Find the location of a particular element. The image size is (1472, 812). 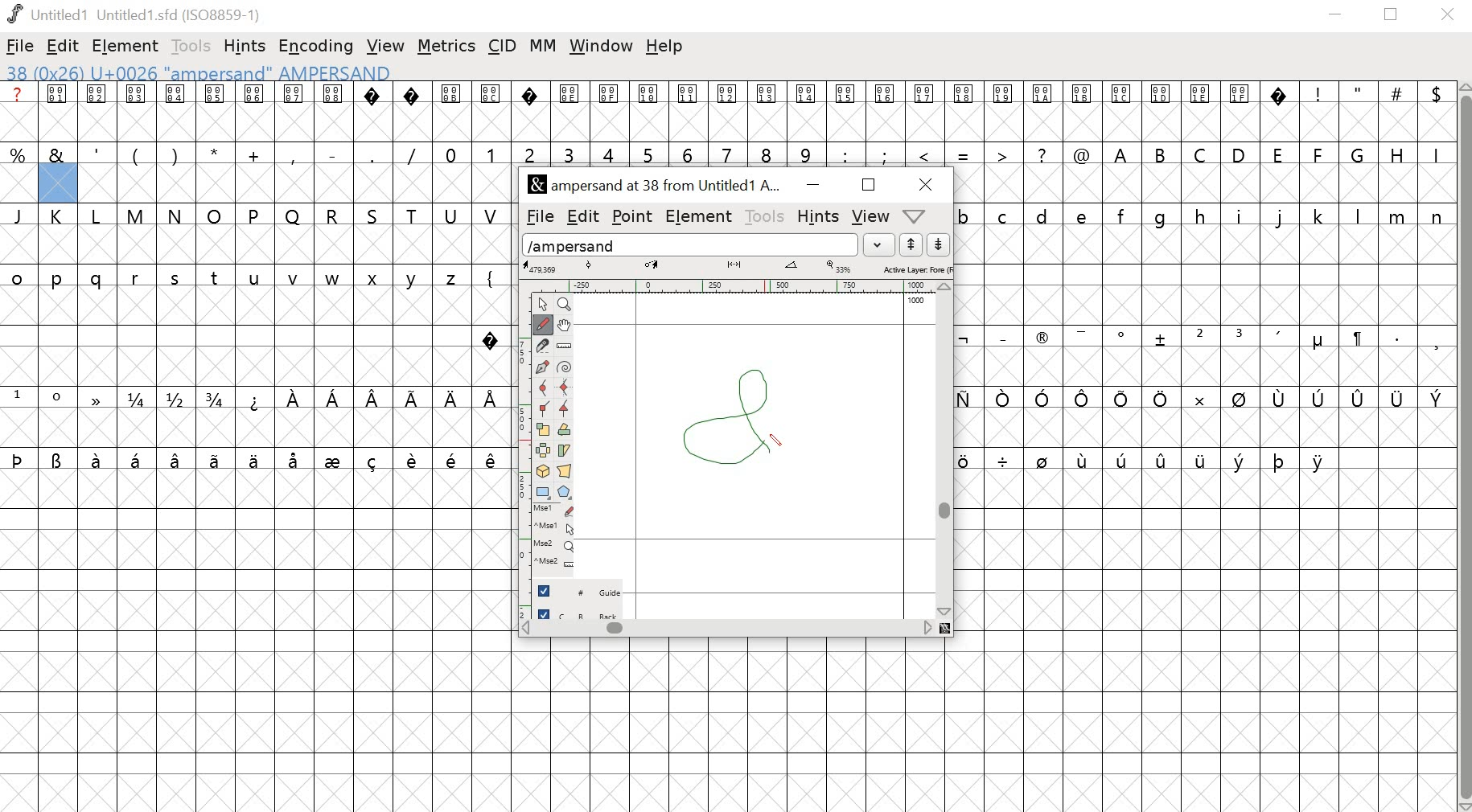

encoding is located at coordinates (315, 47).